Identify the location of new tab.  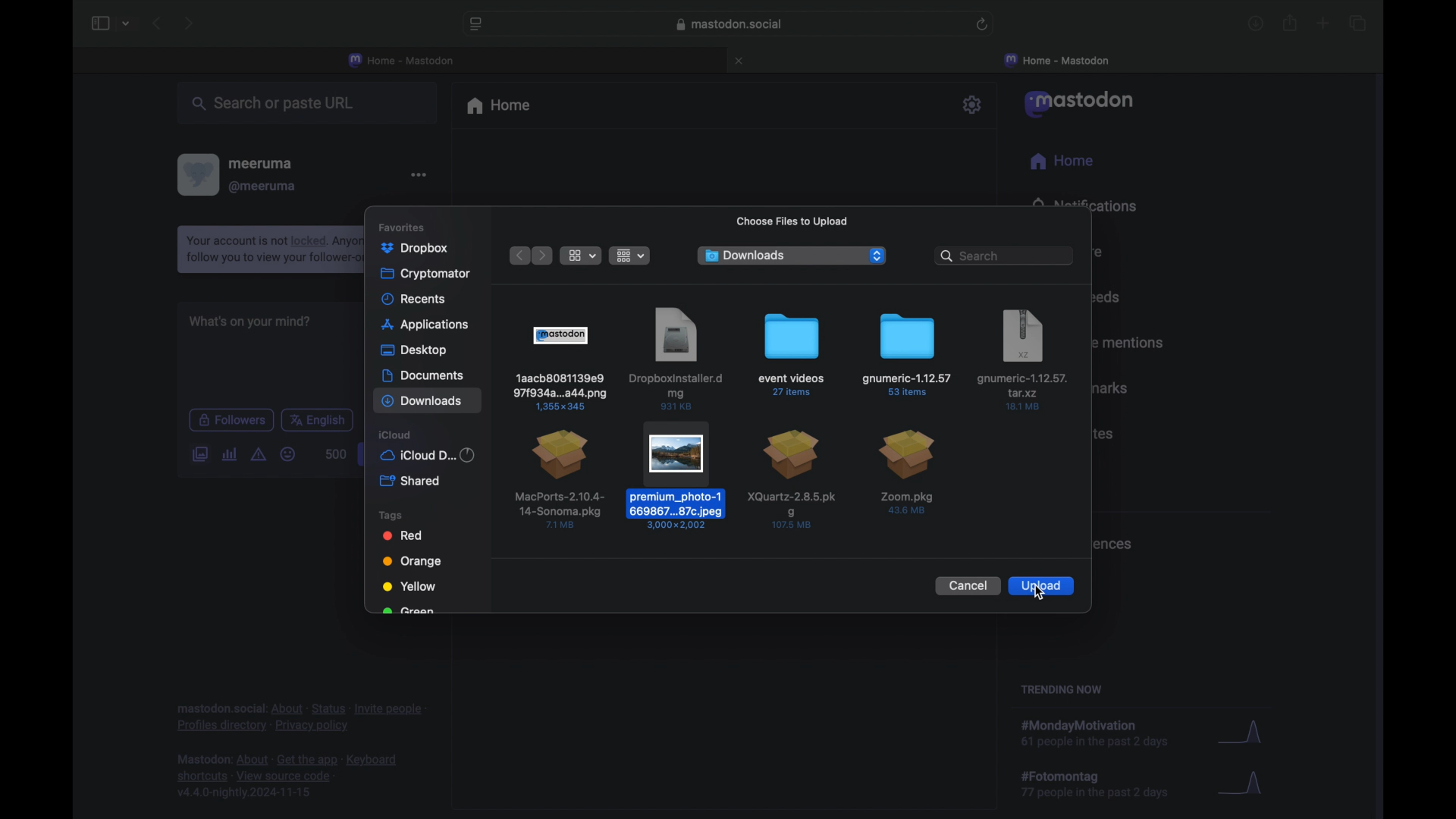
(1323, 24).